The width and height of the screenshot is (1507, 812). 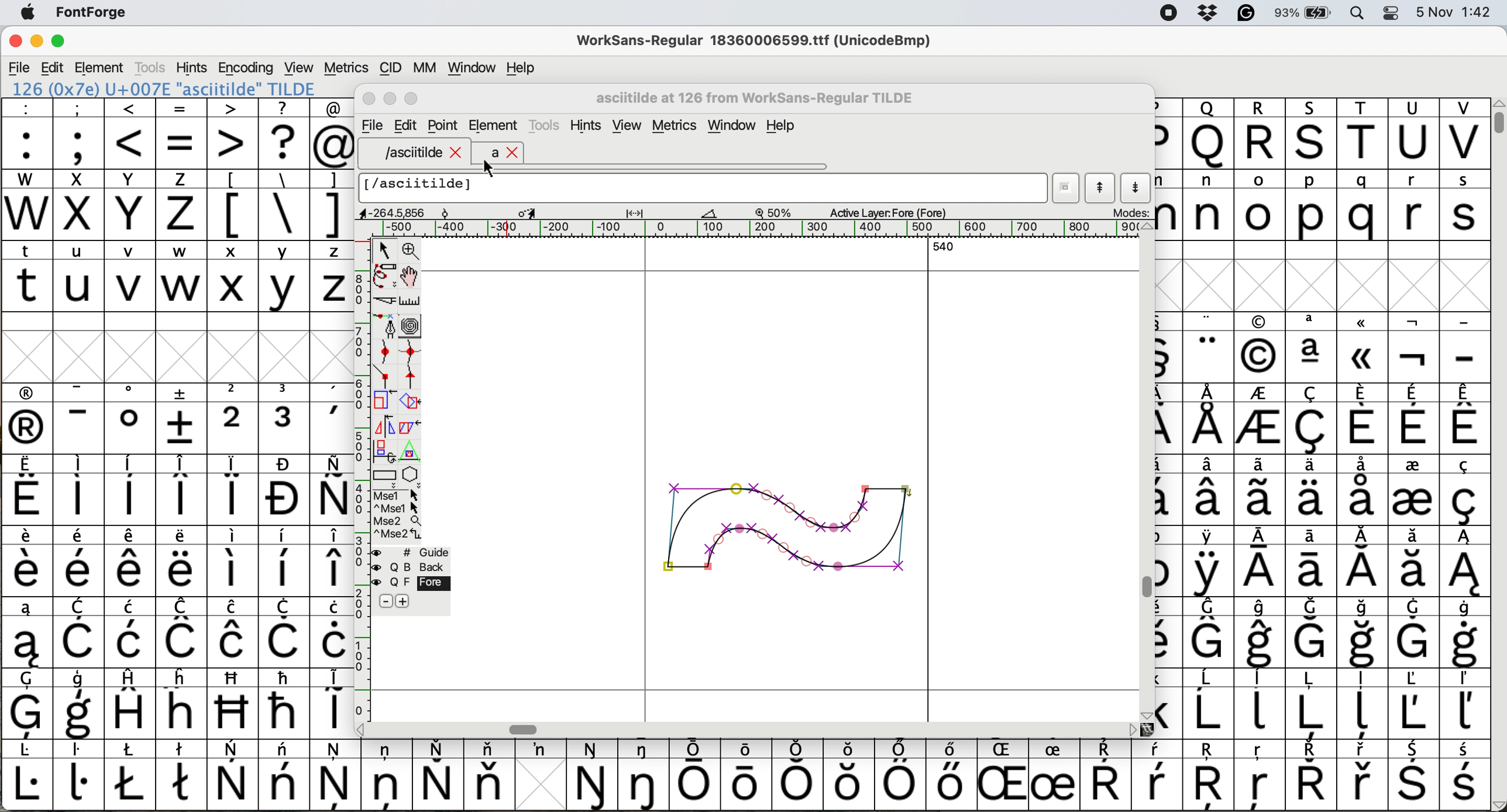 What do you see at coordinates (234, 776) in the screenshot?
I see `symbol` at bounding box center [234, 776].